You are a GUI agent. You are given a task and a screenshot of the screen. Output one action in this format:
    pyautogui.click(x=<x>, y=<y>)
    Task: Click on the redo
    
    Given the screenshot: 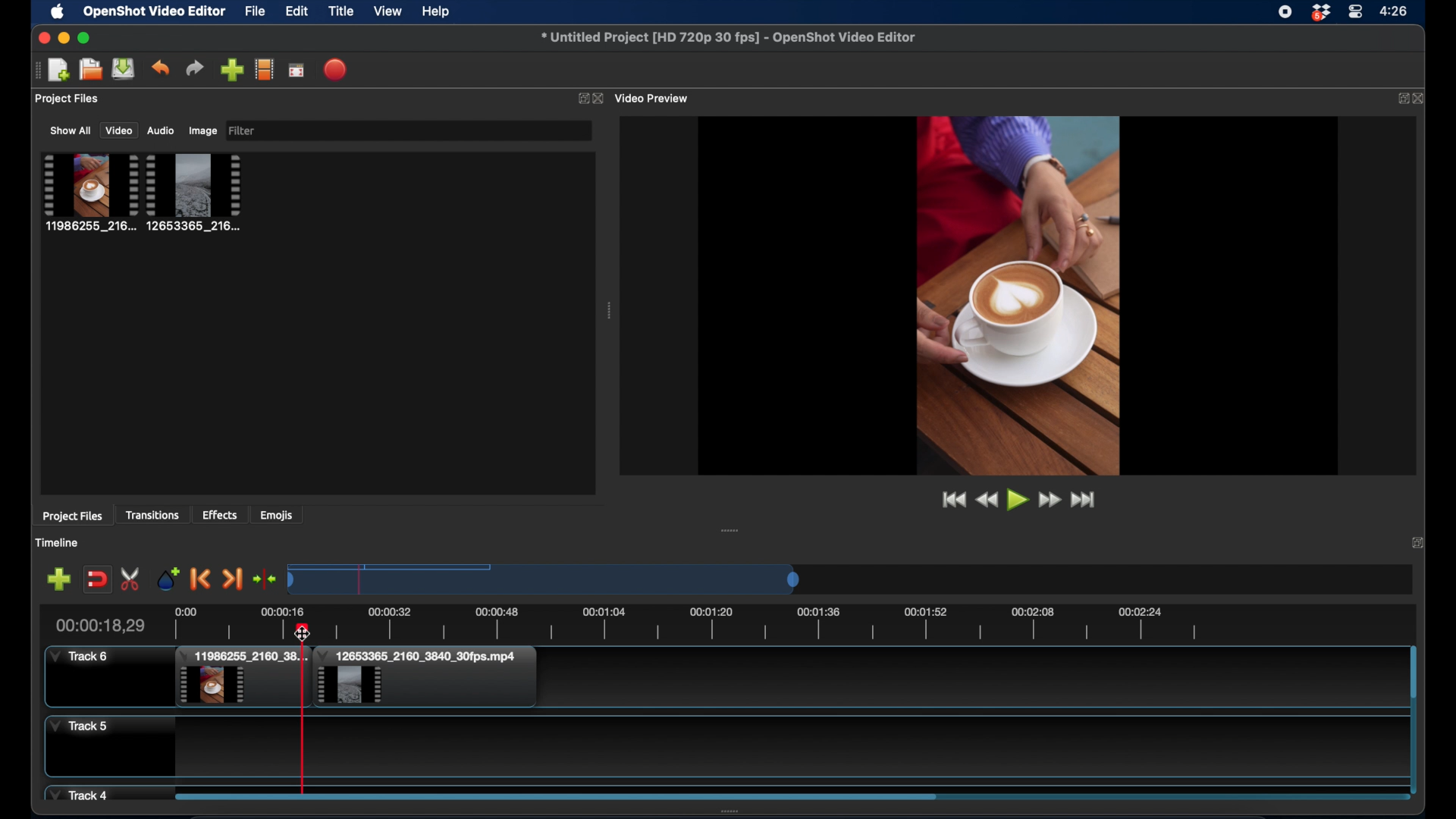 What is the action you would take?
    pyautogui.click(x=195, y=68)
    